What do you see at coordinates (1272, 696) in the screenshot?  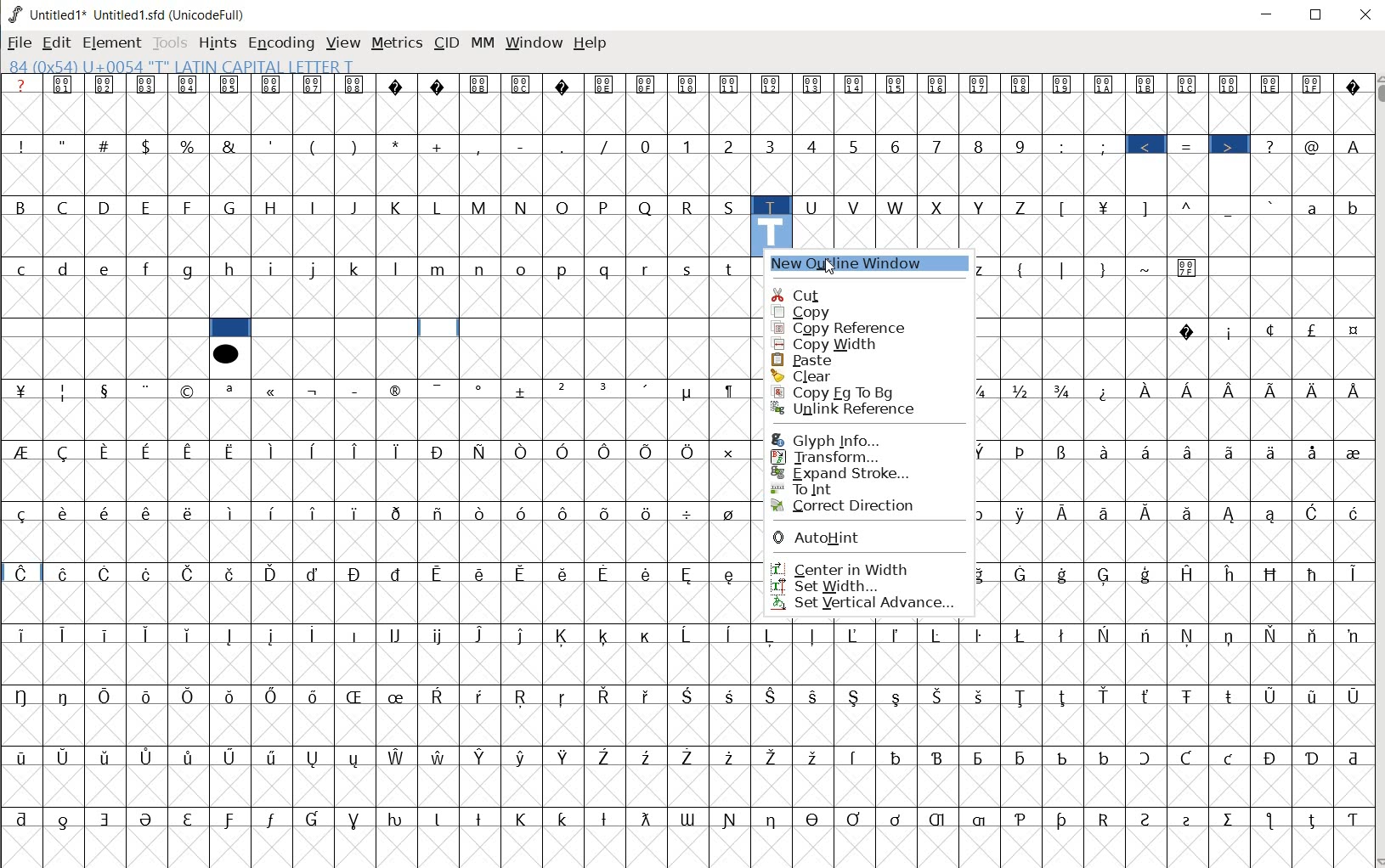 I see `Symbol` at bounding box center [1272, 696].